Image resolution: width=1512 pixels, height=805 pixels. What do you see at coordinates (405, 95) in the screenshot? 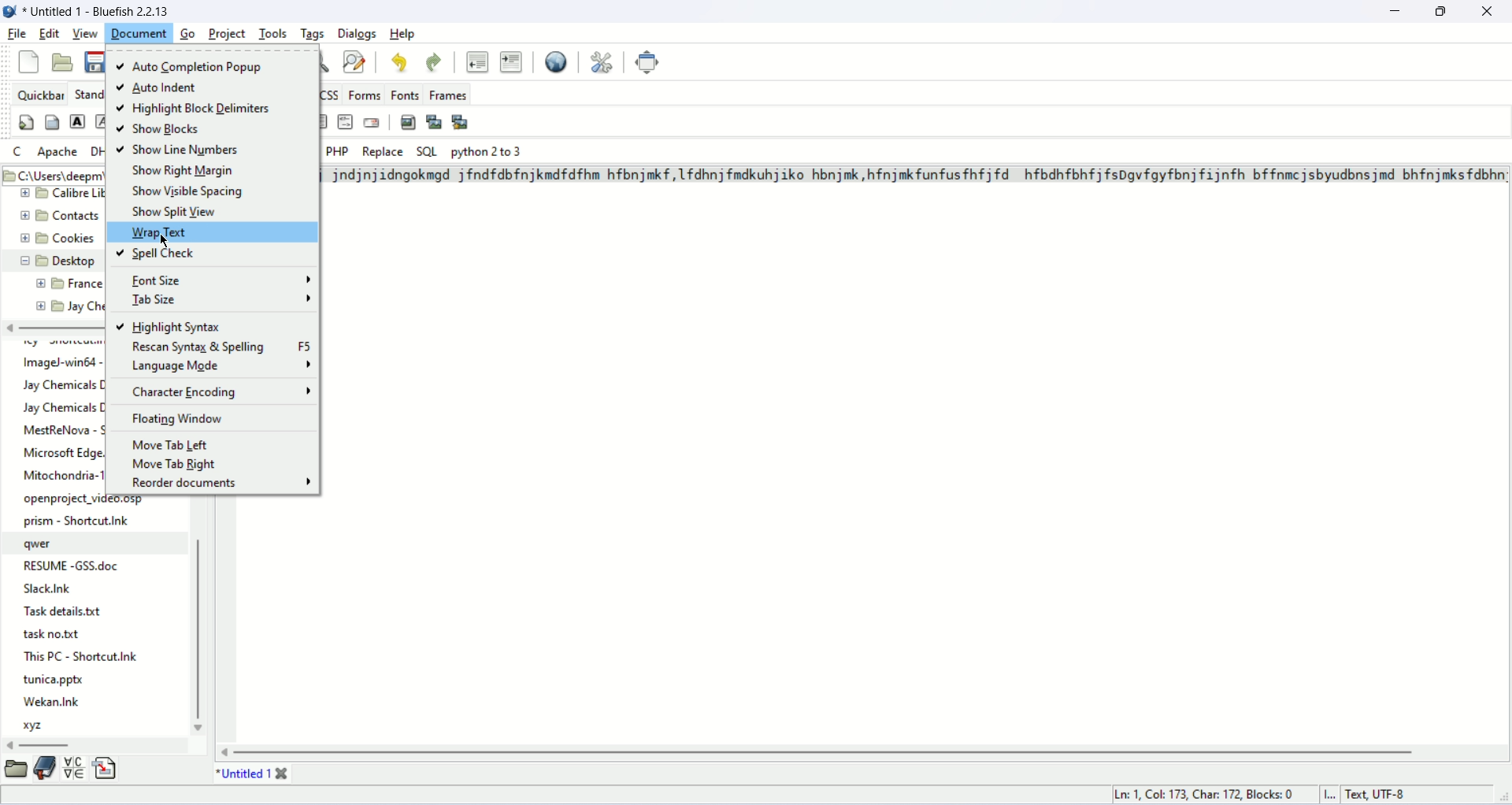
I see `fonts` at bounding box center [405, 95].